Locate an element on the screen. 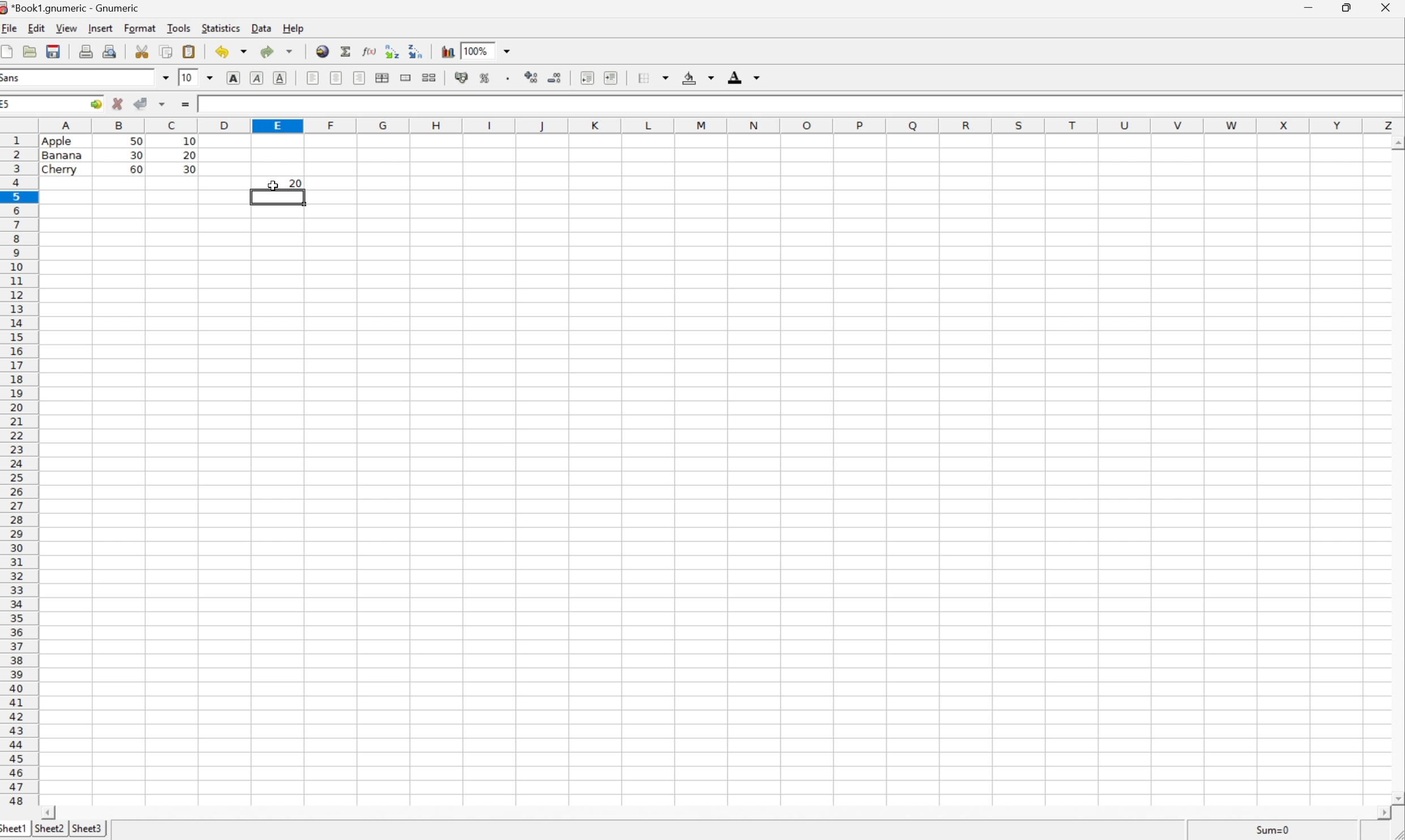  decrease number of decimals displayed is located at coordinates (554, 77).